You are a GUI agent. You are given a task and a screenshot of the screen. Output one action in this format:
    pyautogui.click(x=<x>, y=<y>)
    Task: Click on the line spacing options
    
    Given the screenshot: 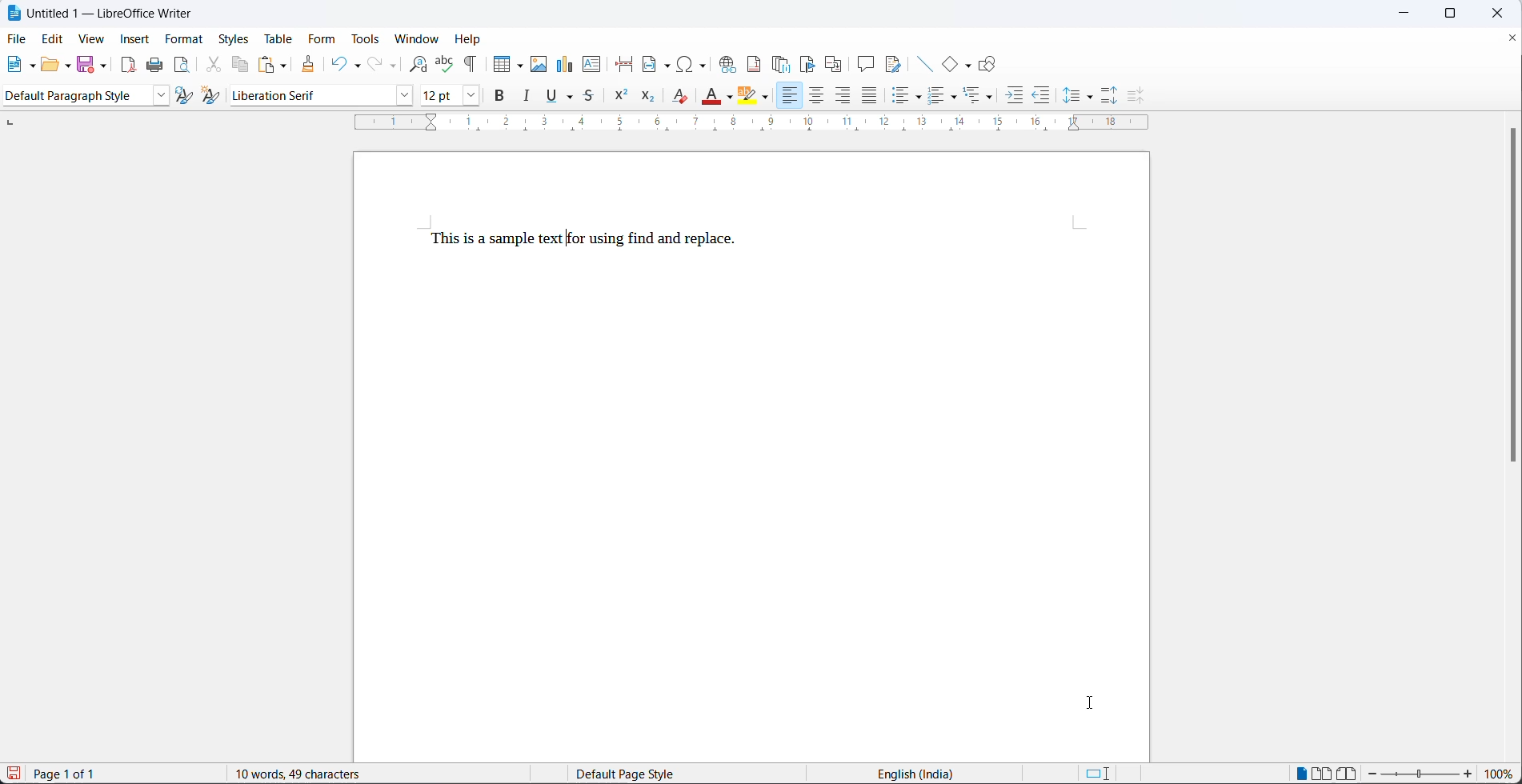 What is the action you would take?
    pyautogui.click(x=1071, y=96)
    